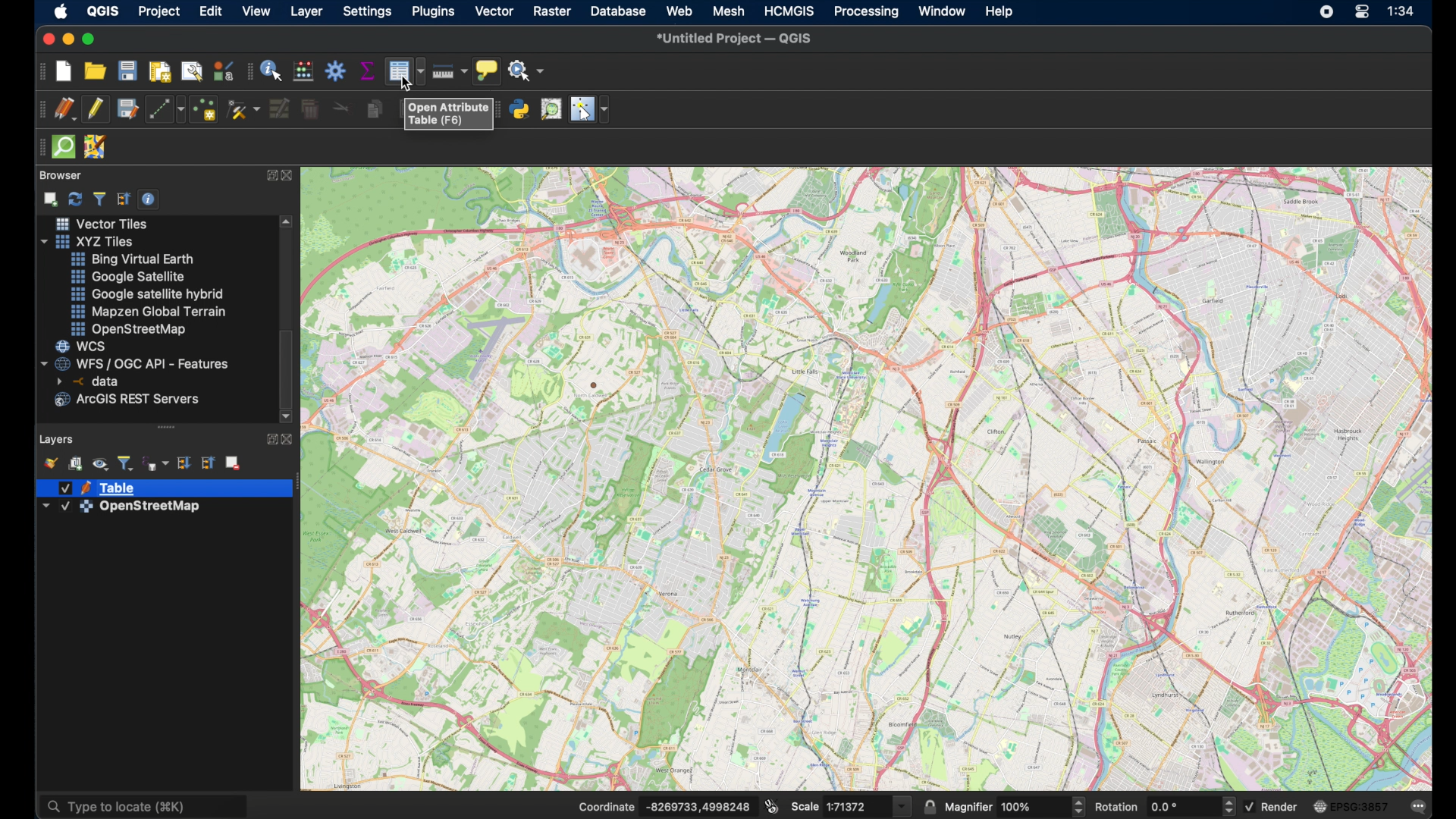 This screenshot has width=1456, height=819. I want to click on filter legend by expression, so click(157, 461).